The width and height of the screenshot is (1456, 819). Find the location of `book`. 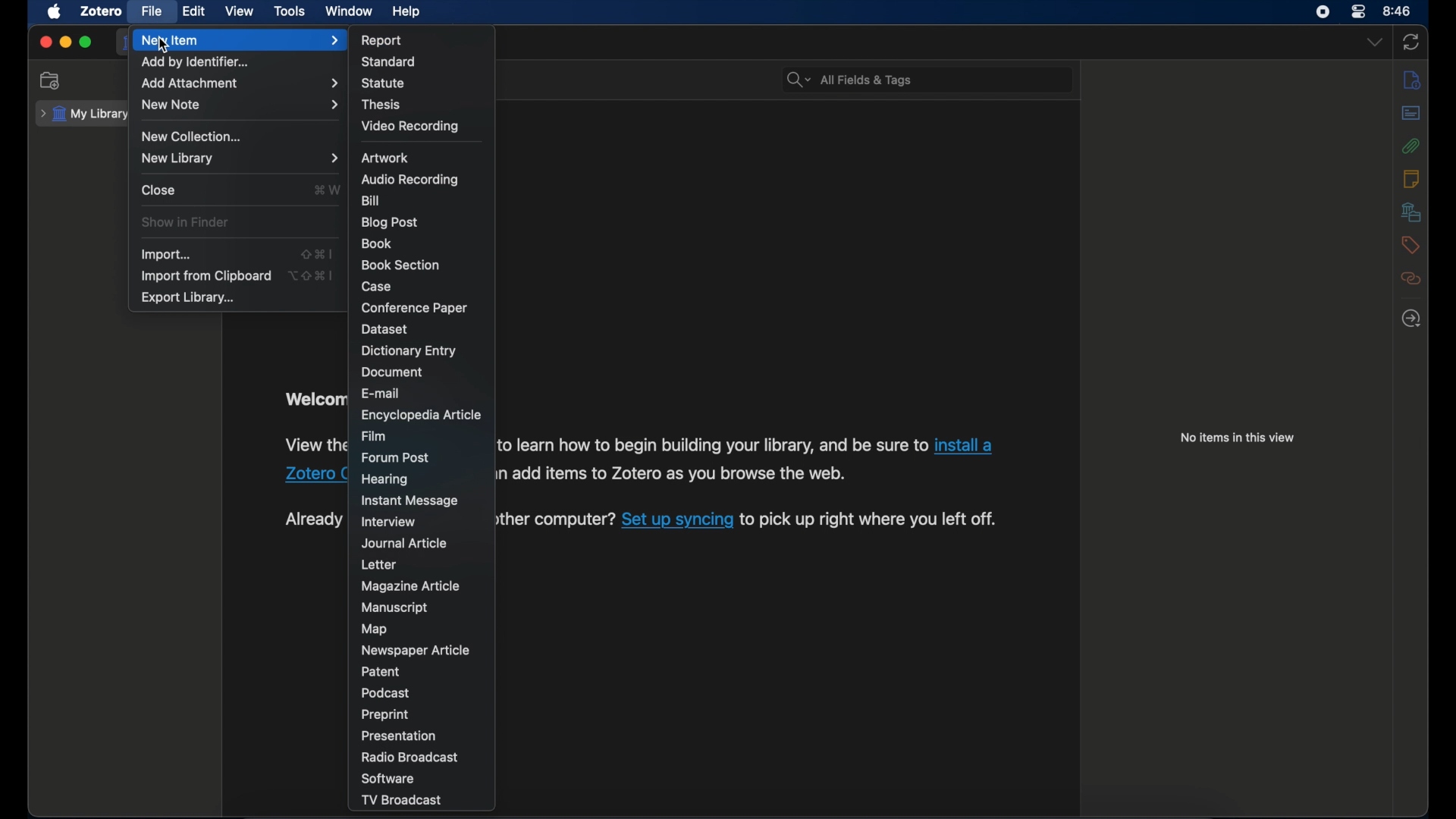

book is located at coordinates (378, 244).